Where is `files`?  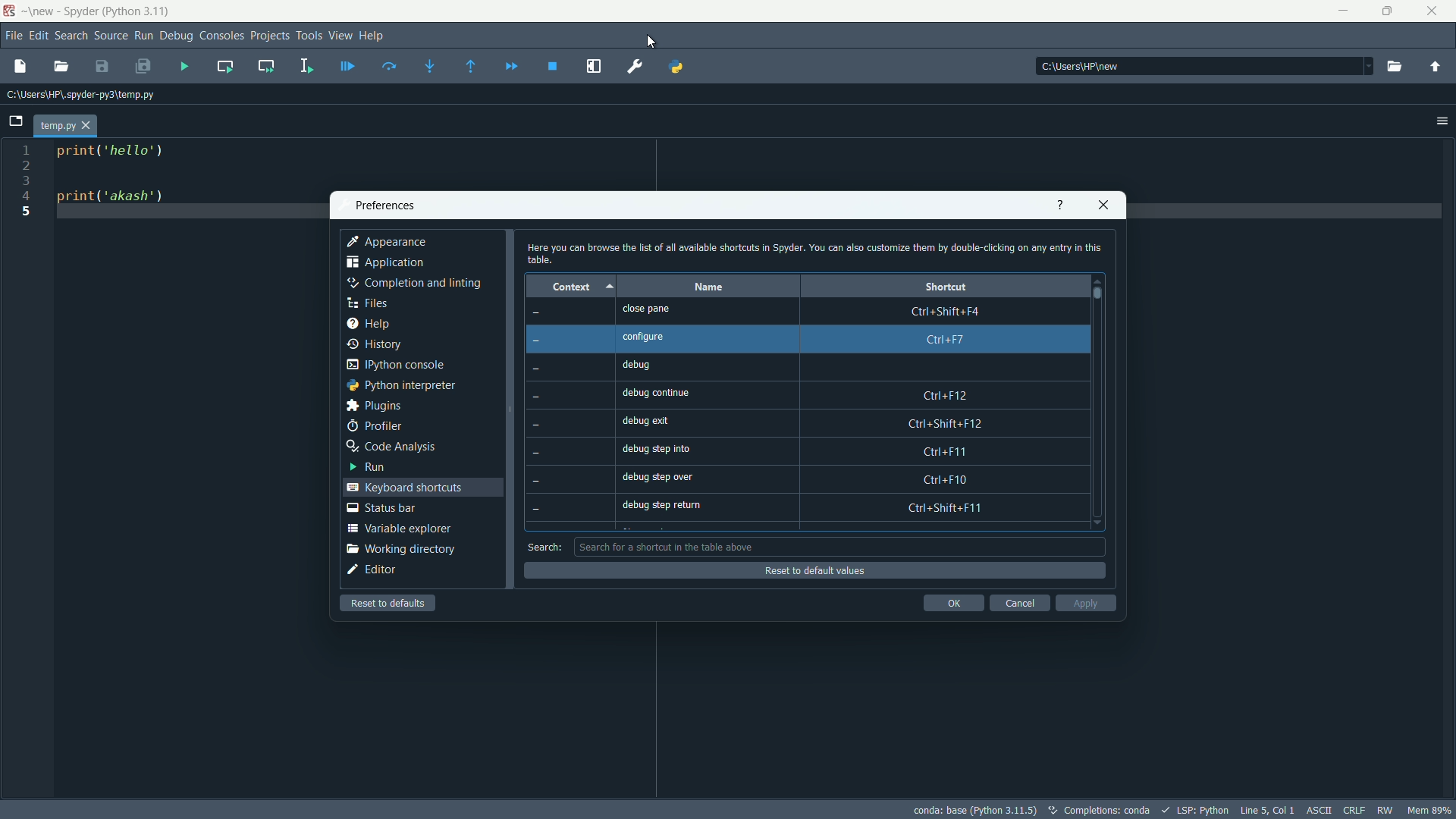
files is located at coordinates (366, 303).